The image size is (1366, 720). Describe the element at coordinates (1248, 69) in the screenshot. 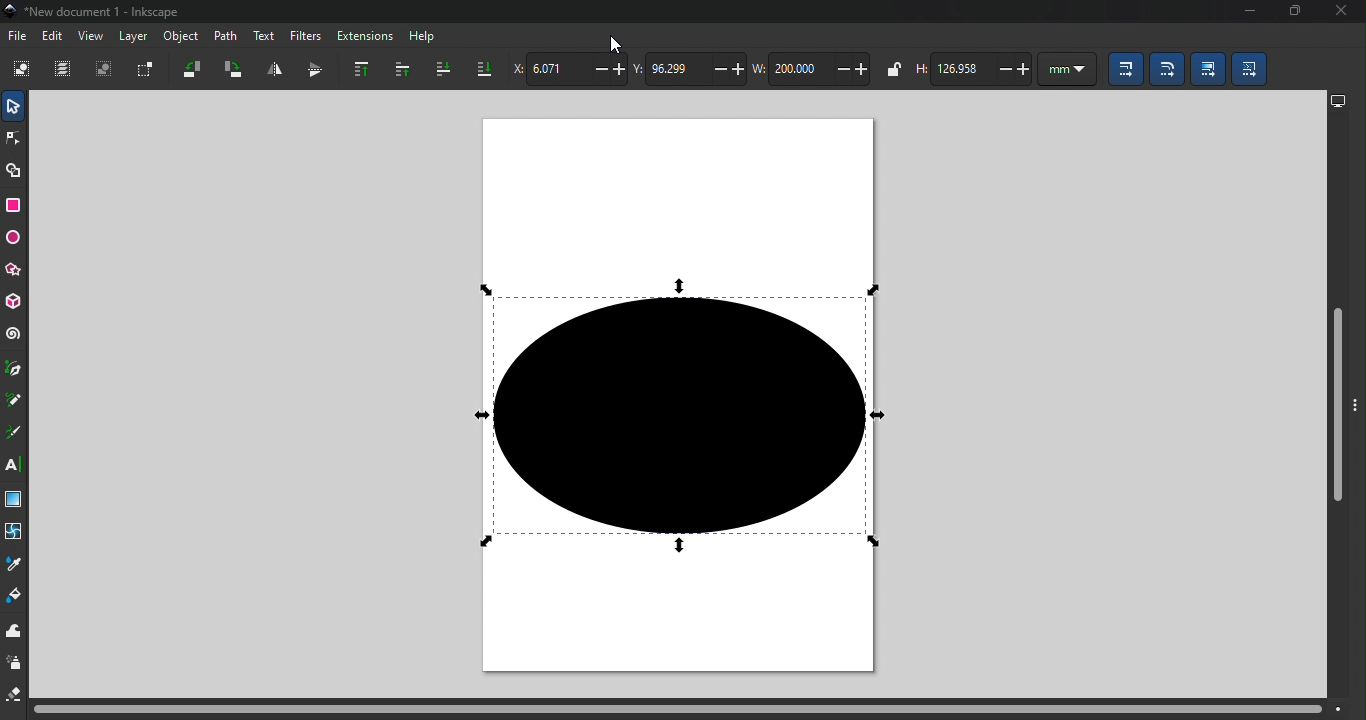

I see `Move patterns (in fill or stoke) along with the objects` at that location.